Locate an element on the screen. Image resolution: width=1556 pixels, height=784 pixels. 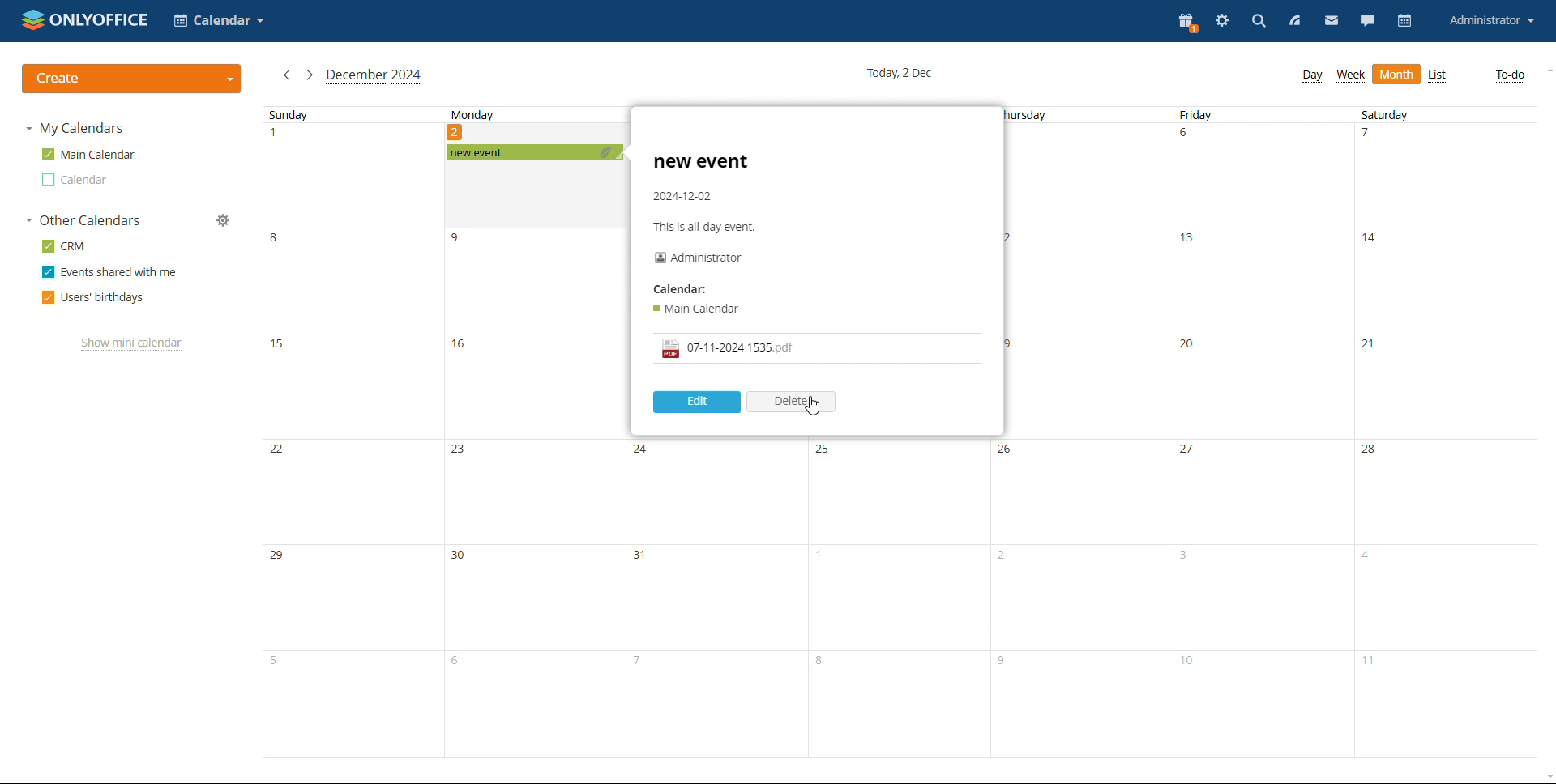
15 is located at coordinates (281, 352).